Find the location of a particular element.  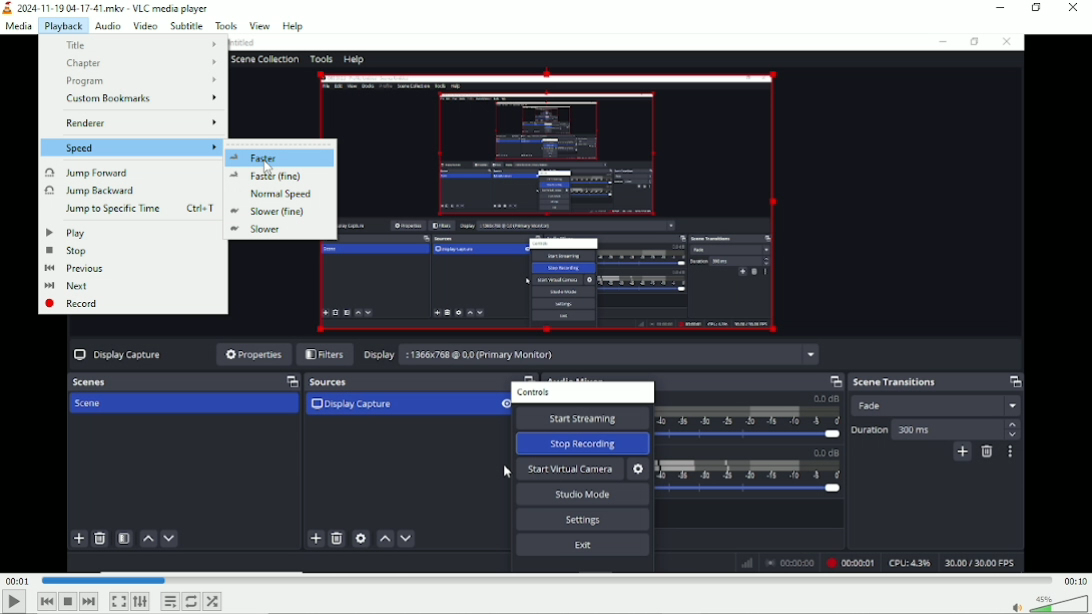

slower (fine) is located at coordinates (279, 212).